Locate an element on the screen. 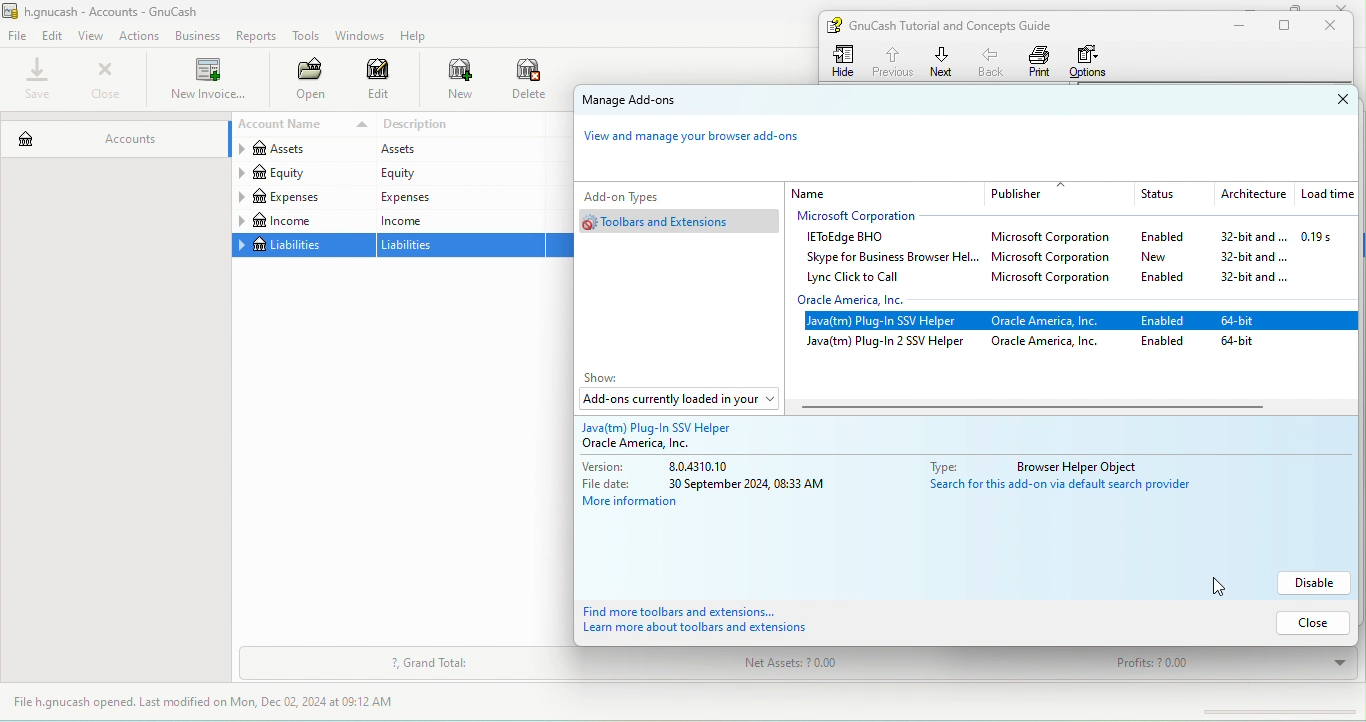  reports is located at coordinates (258, 36).